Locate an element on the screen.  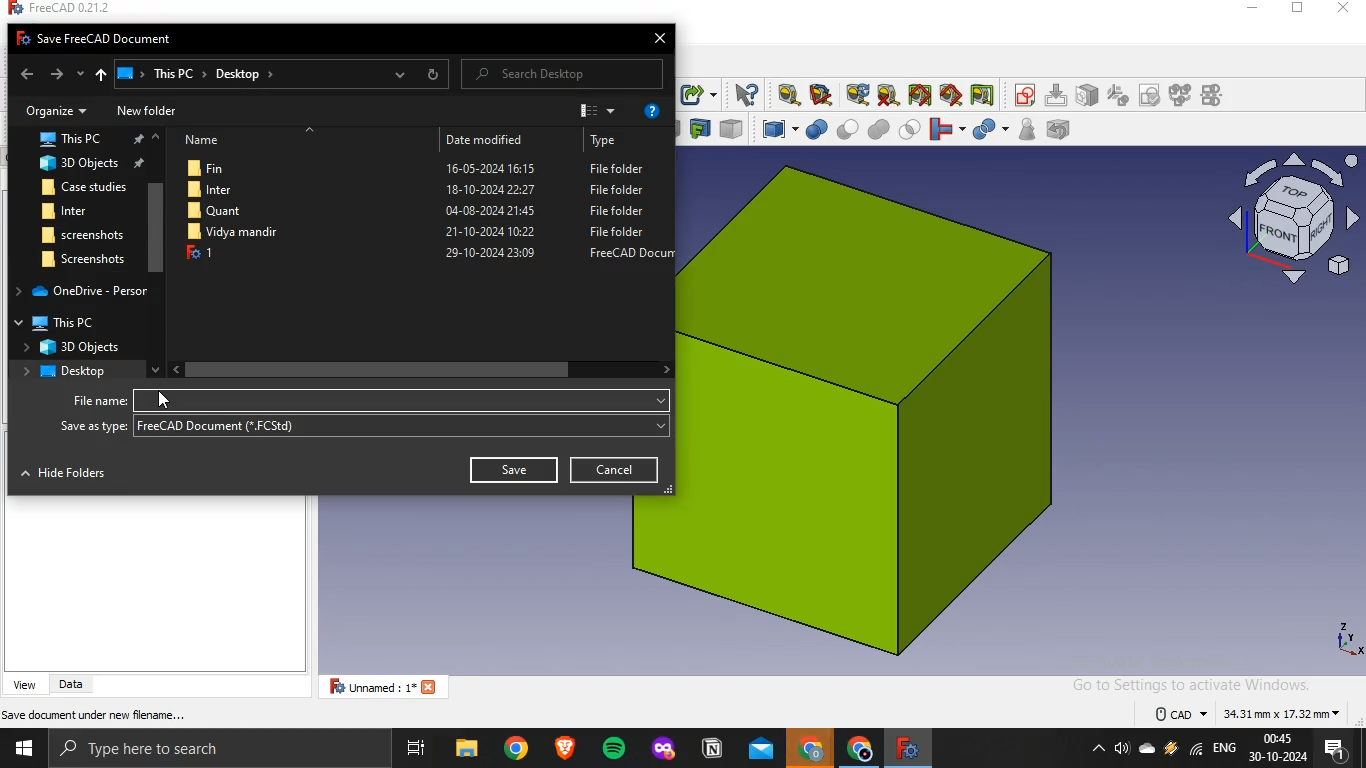
Hide Folders is located at coordinates (67, 476).